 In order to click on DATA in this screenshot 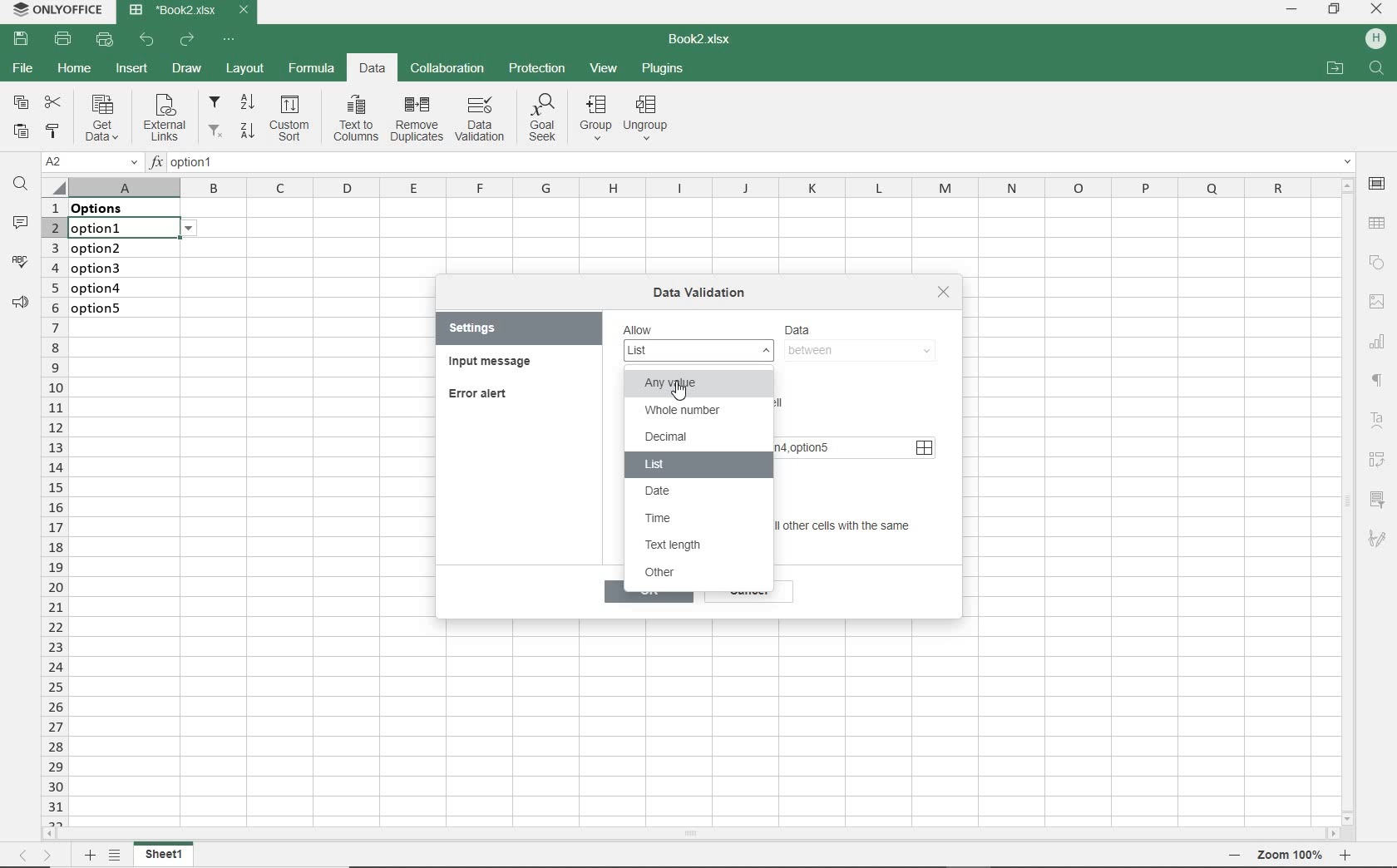, I will do `click(374, 70)`.